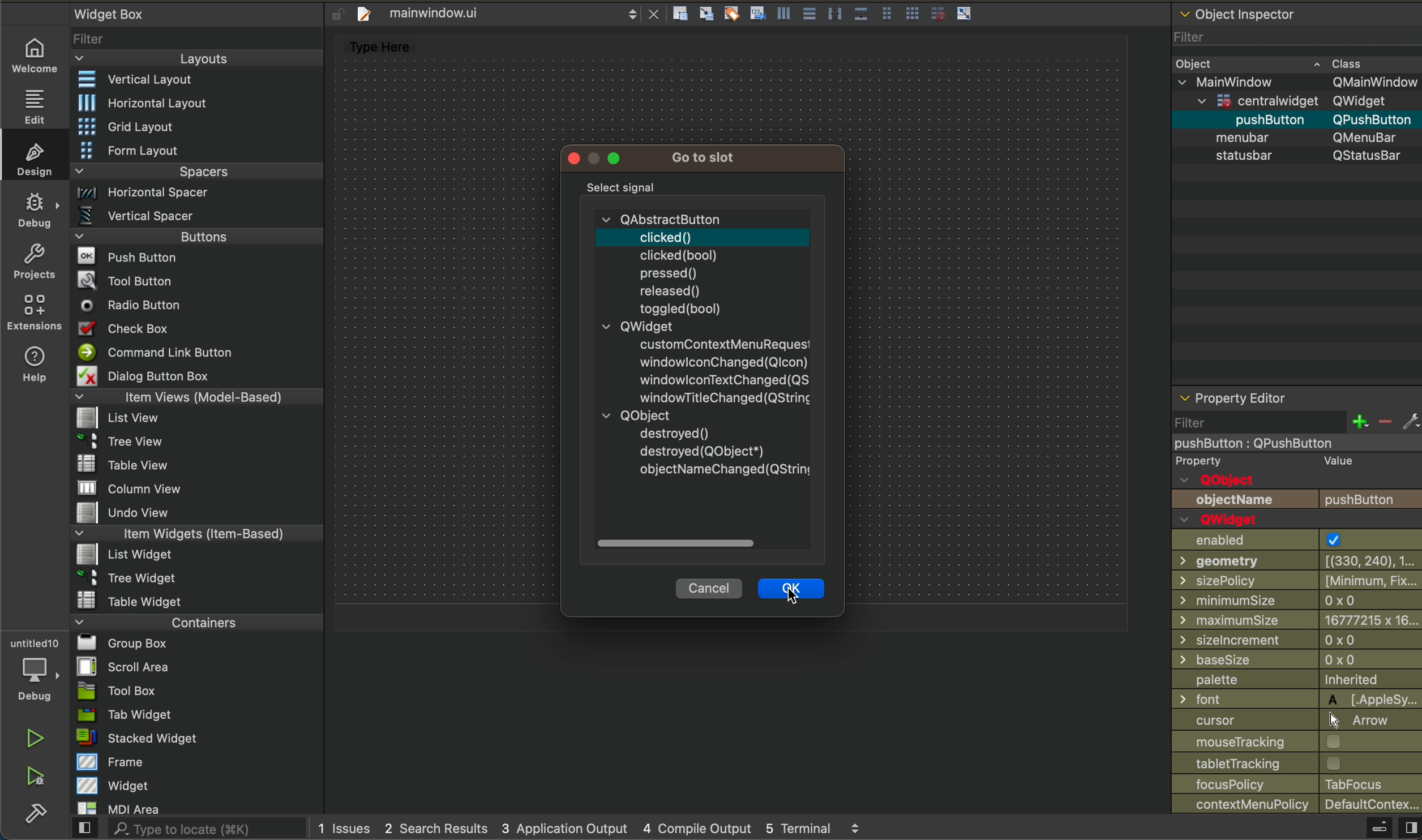 The width and height of the screenshot is (1422, 840). I want to click on design, so click(33, 159).